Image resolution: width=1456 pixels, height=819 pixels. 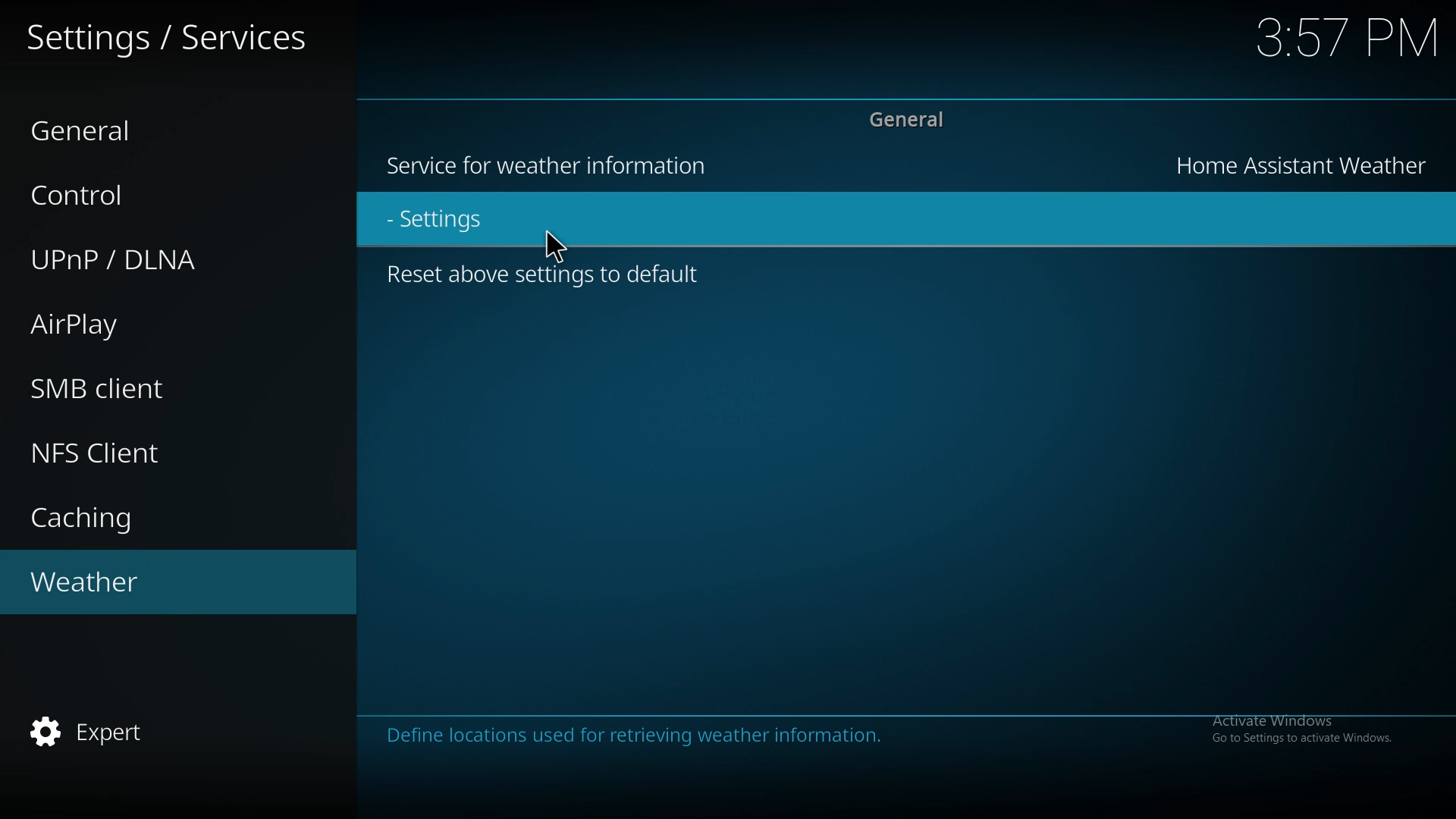 I want to click on nfs client, so click(x=155, y=453).